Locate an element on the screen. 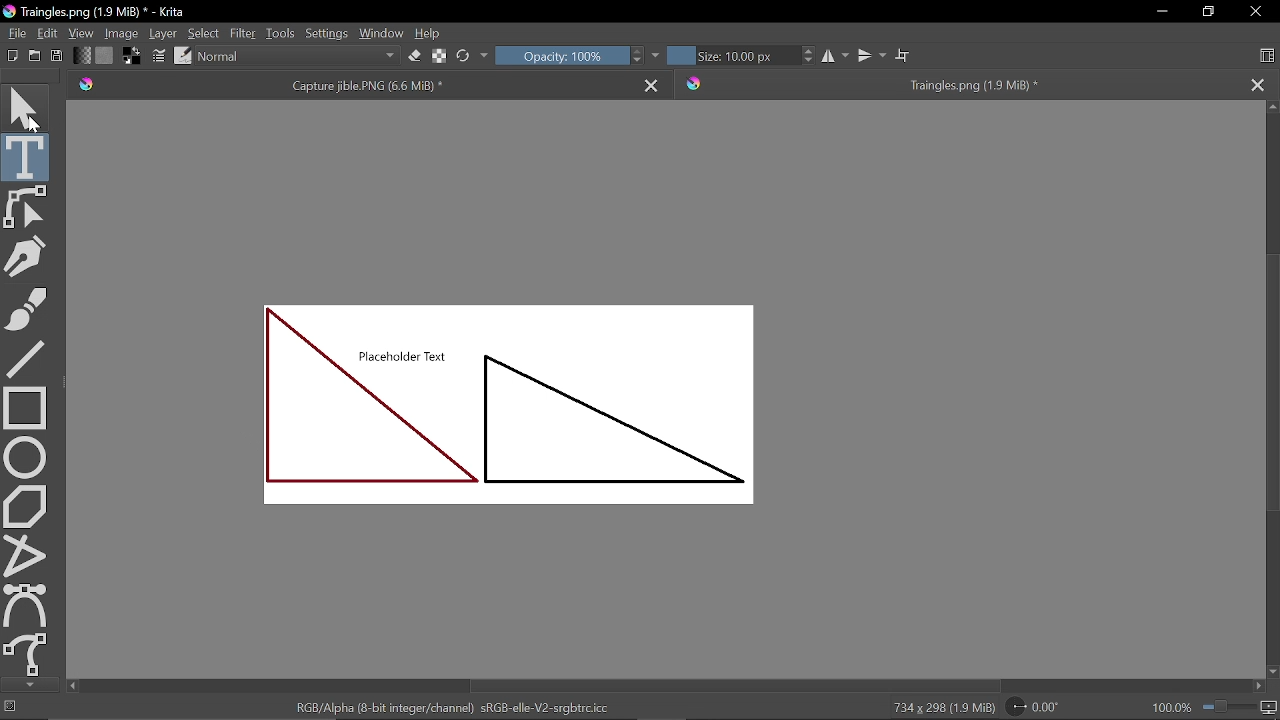 The width and height of the screenshot is (1280, 720). Close tab is located at coordinates (1263, 83).